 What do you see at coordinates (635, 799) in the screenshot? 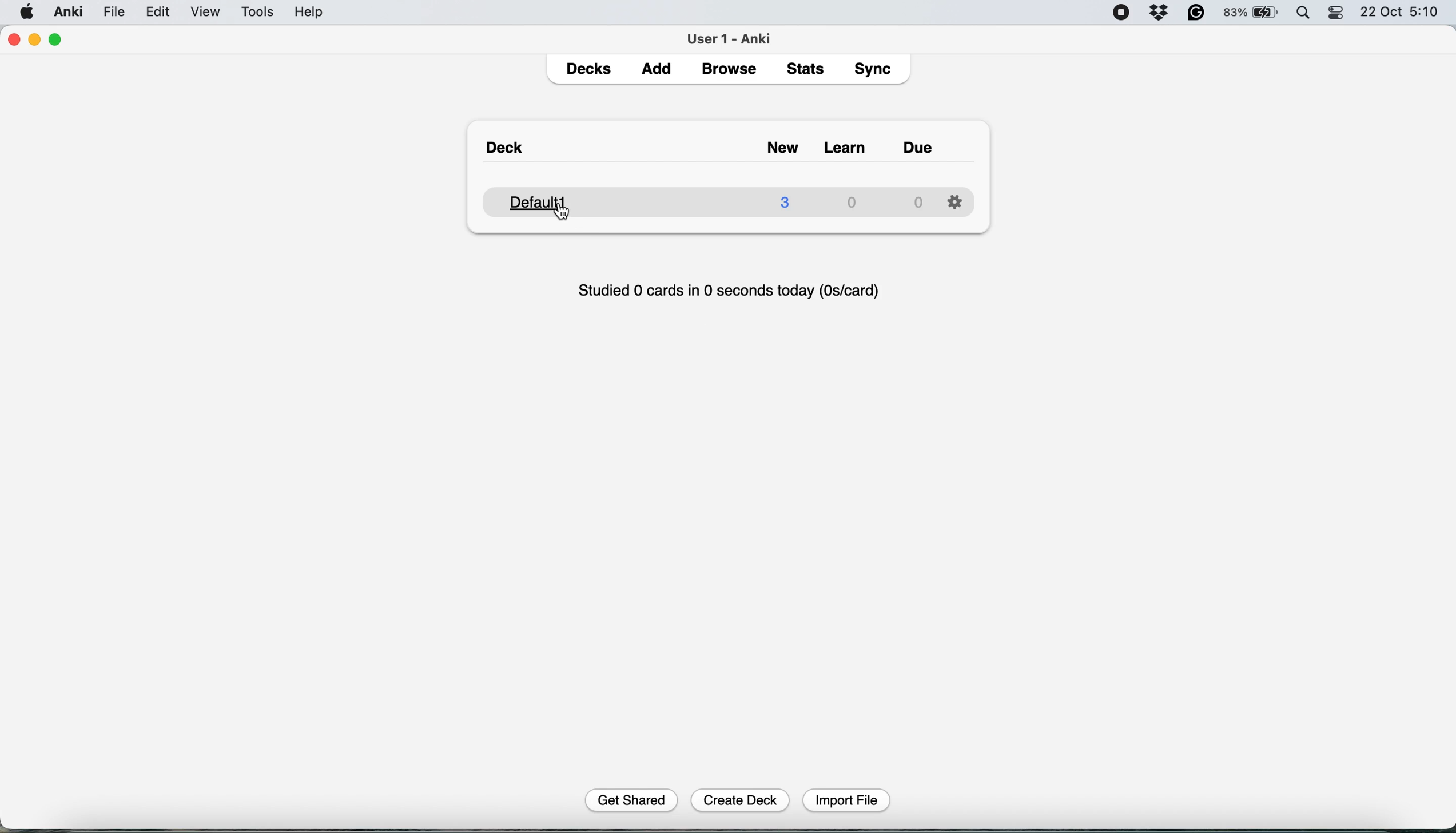
I see `get shared` at bounding box center [635, 799].